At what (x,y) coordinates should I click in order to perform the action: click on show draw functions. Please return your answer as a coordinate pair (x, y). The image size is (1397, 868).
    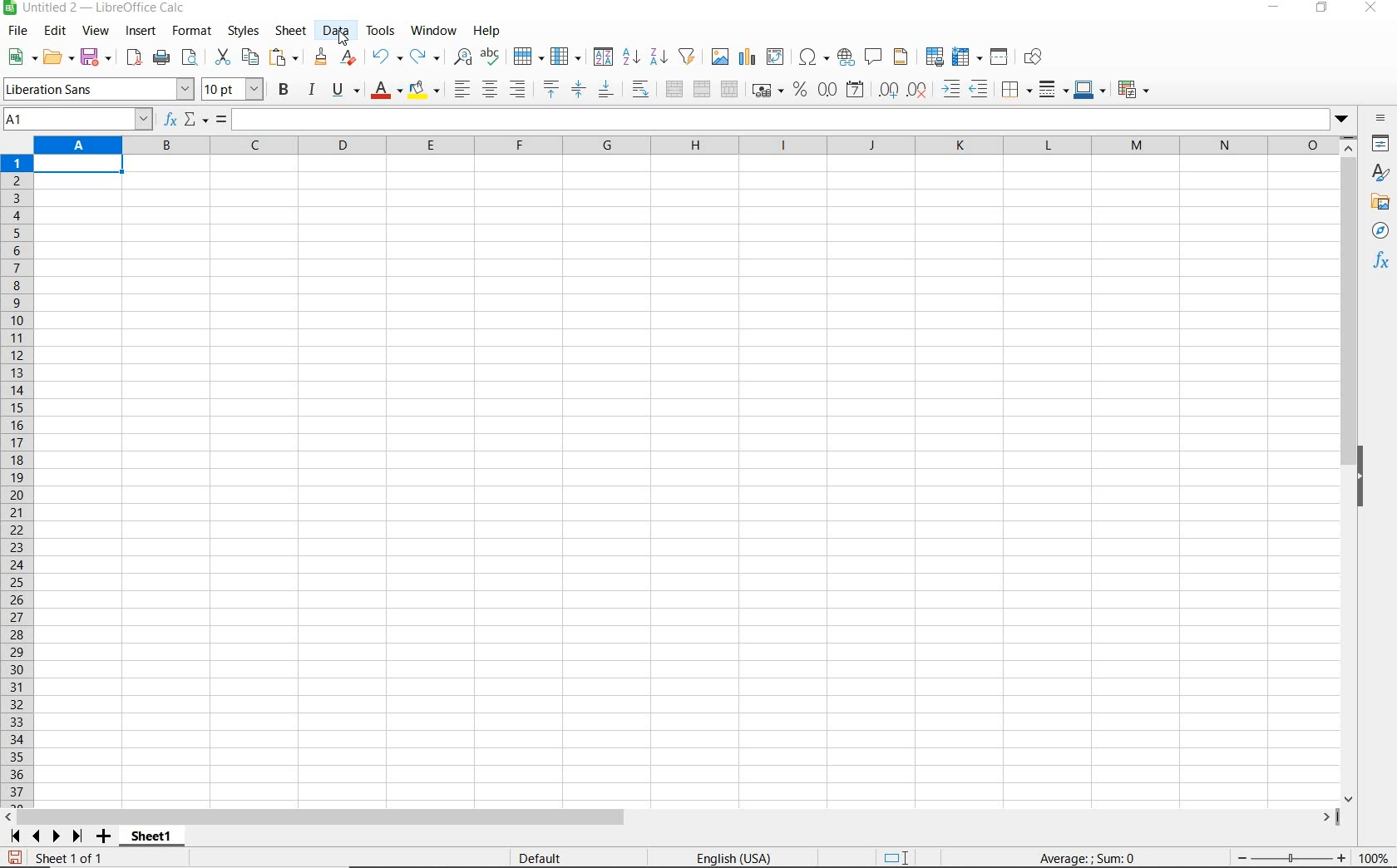
    Looking at the image, I should click on (1036, 57).